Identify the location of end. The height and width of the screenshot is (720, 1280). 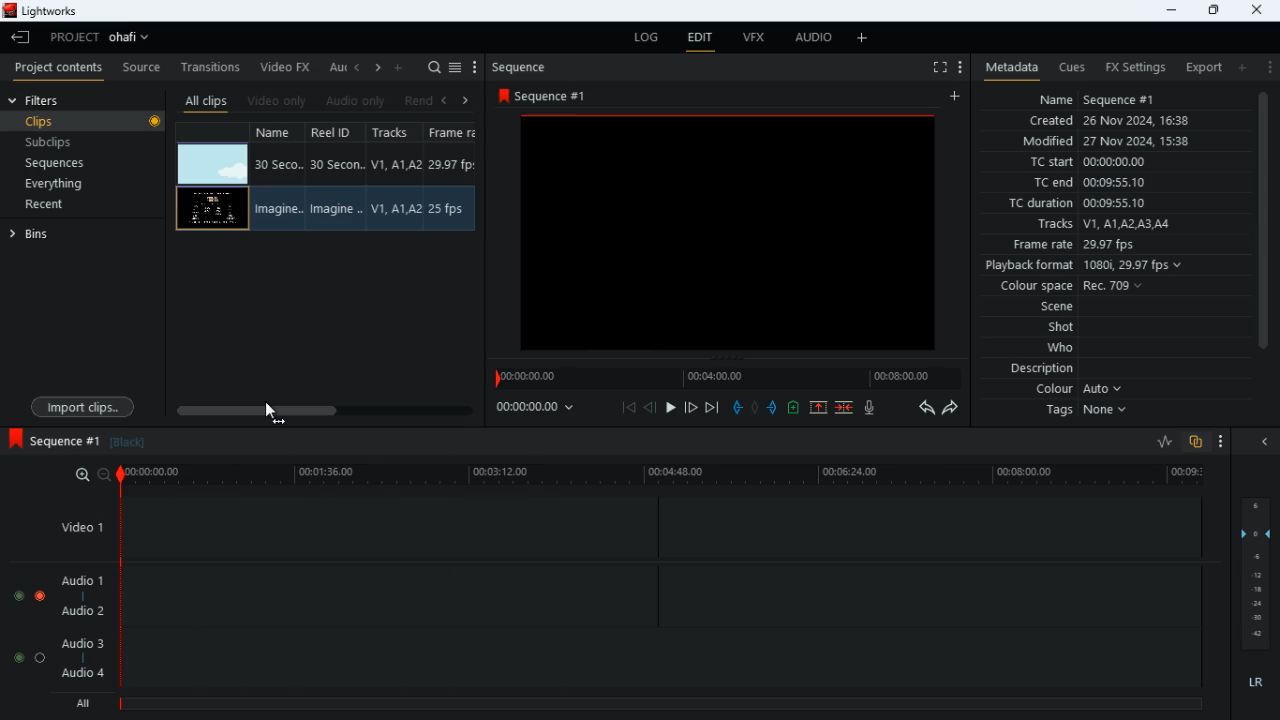
(714, 407).